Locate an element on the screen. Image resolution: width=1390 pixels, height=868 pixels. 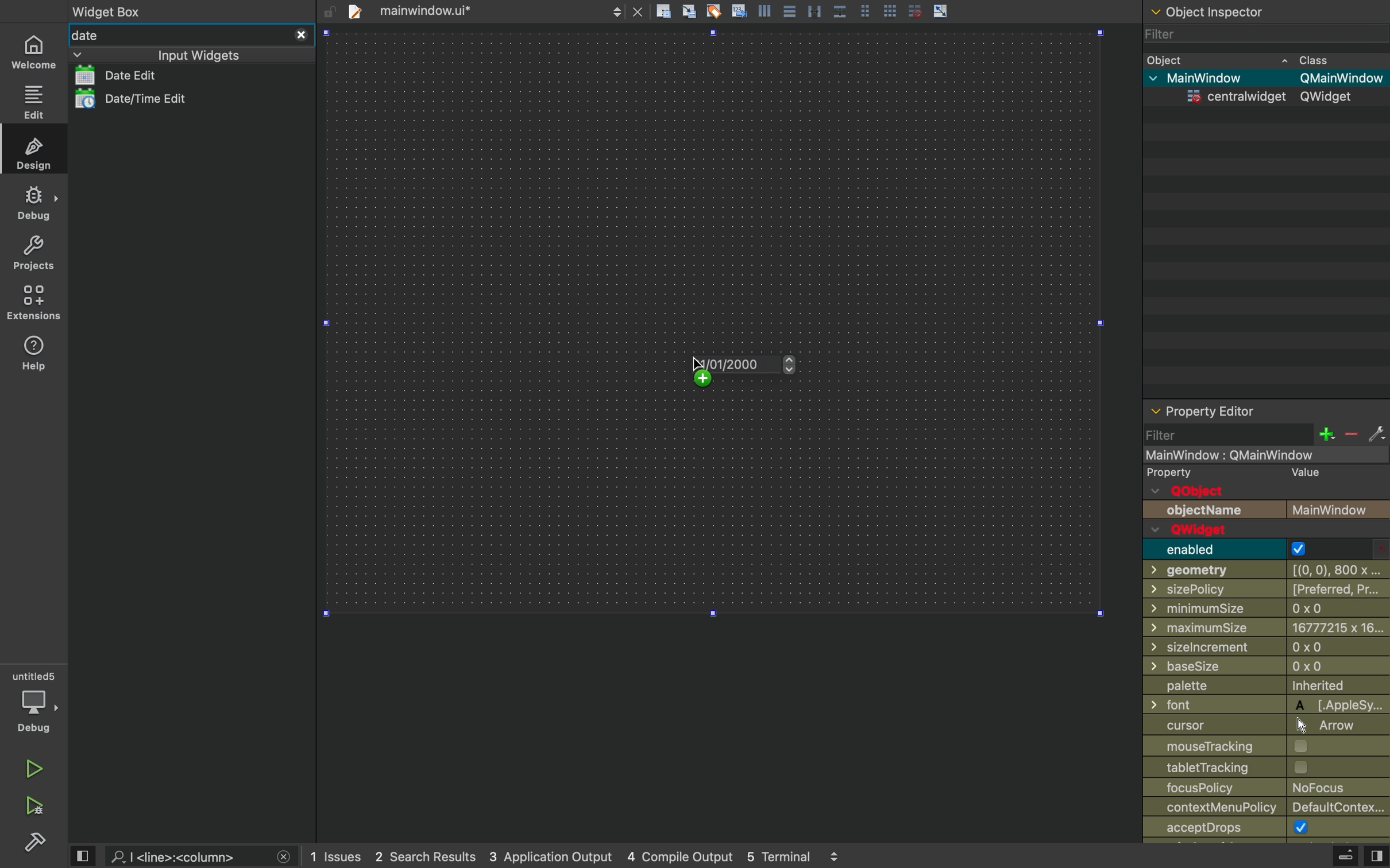
view is located at coordinates (81, 855).